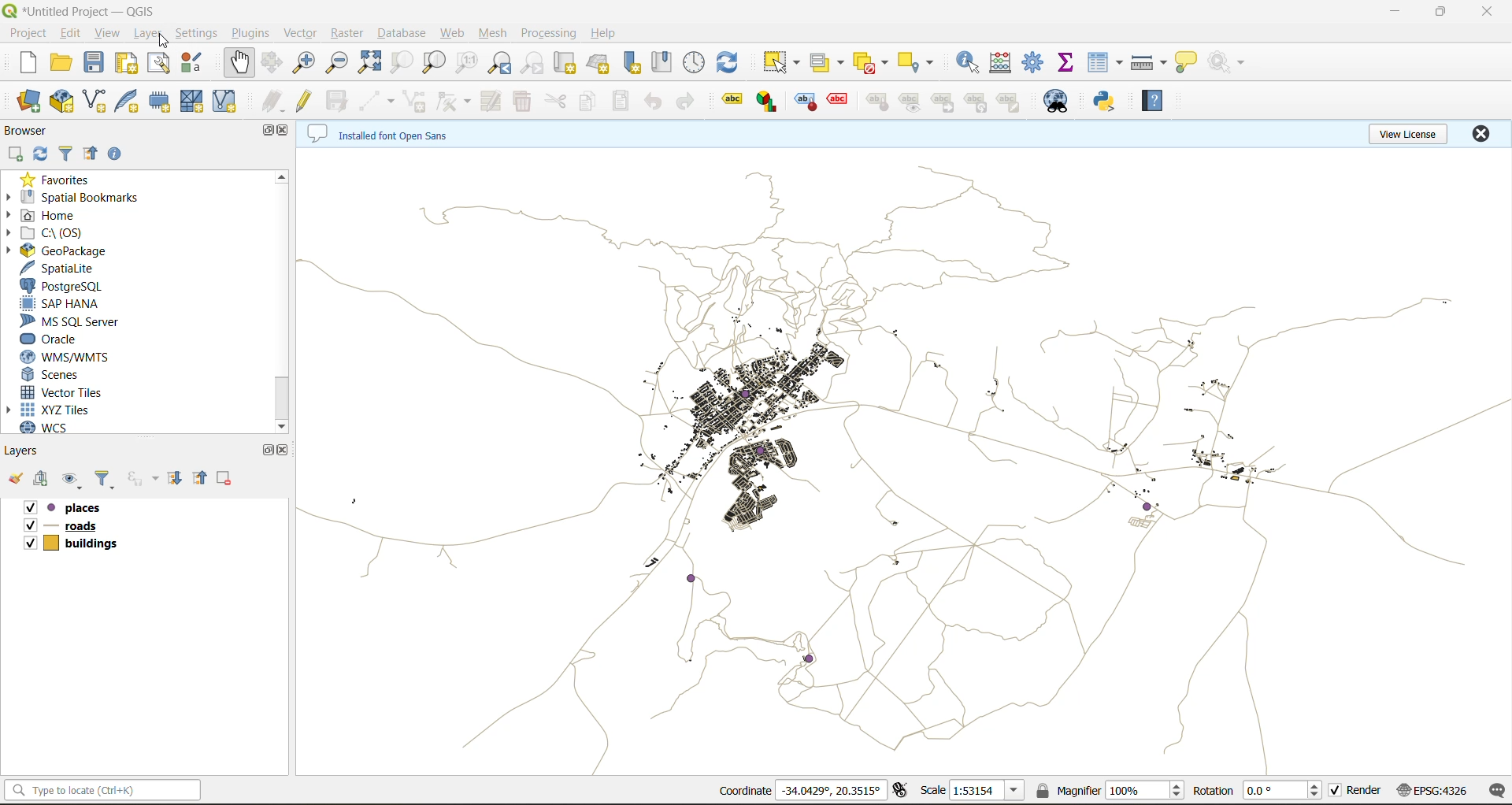  What do you see at coordinates (418, 101) in the screenshot?
I see `add polygon` at bounding box center [418, 101].